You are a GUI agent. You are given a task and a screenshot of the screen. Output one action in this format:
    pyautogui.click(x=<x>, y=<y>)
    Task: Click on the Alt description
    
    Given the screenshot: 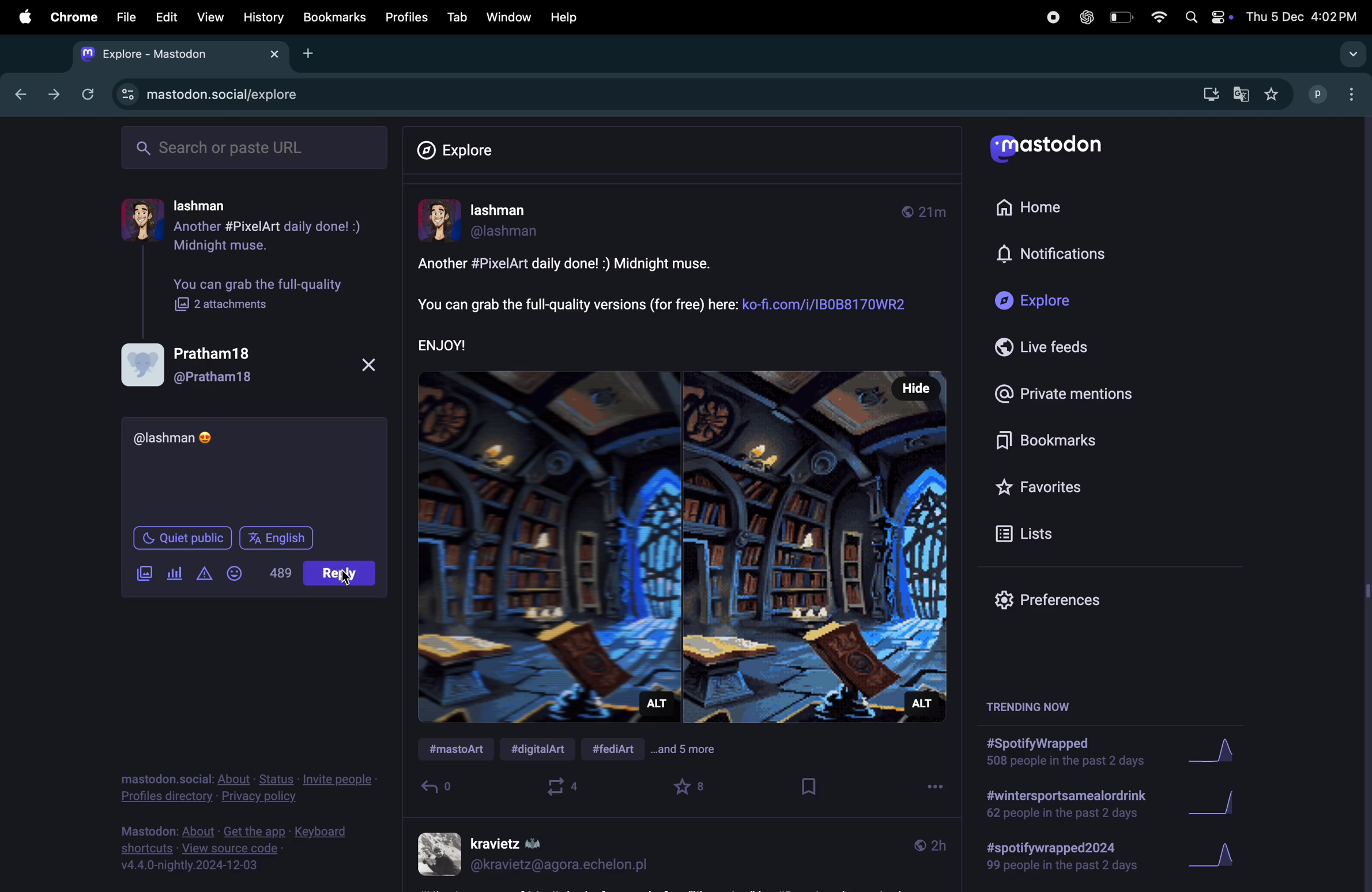 What is the action you would take?
    pyautogui.click(x=658, y=706)
    